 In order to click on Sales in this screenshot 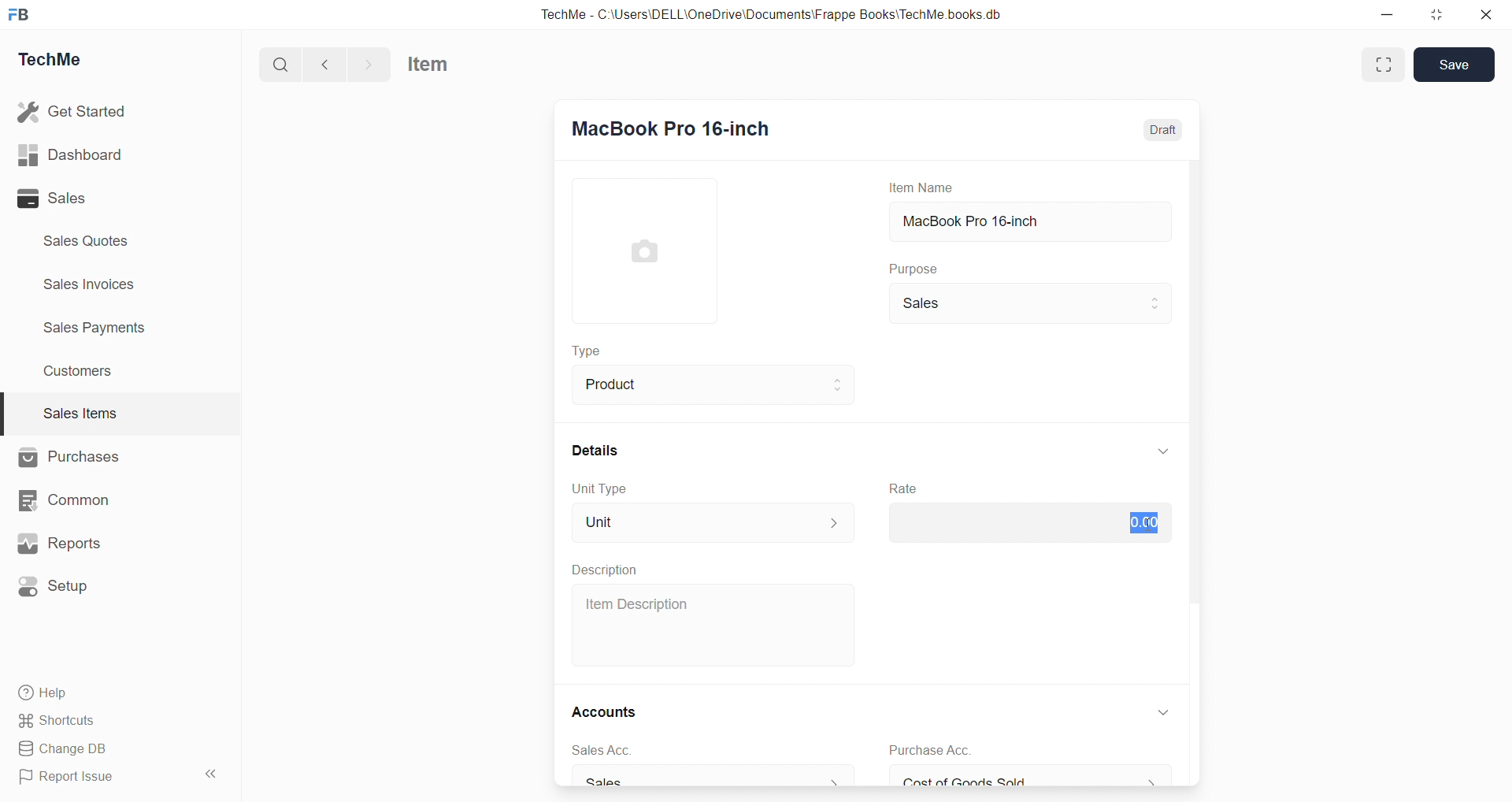, I will do `click(54, 199)`.